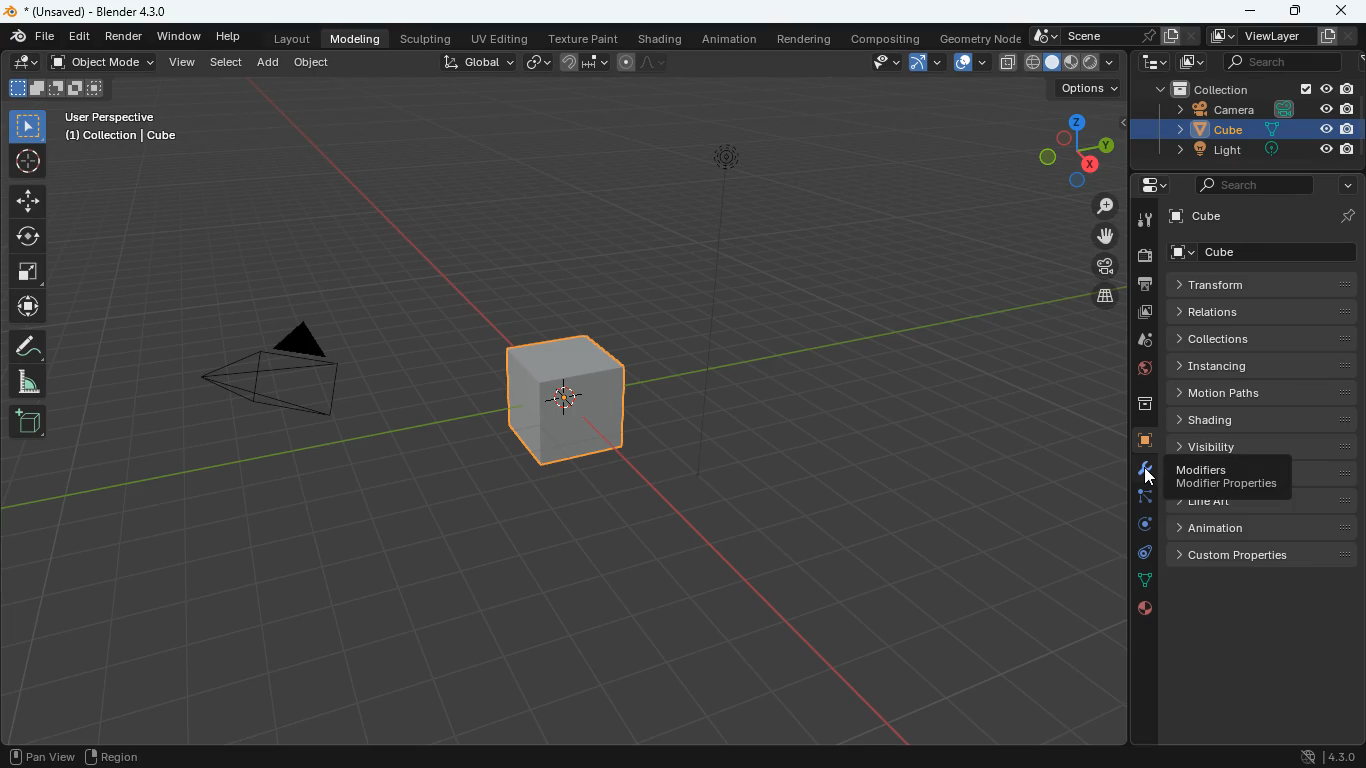 The image size is (1366, 768). What do you see at coordinates (1085, 91) in the screenshot?
I see `options` at bounding box center [1085, 91].